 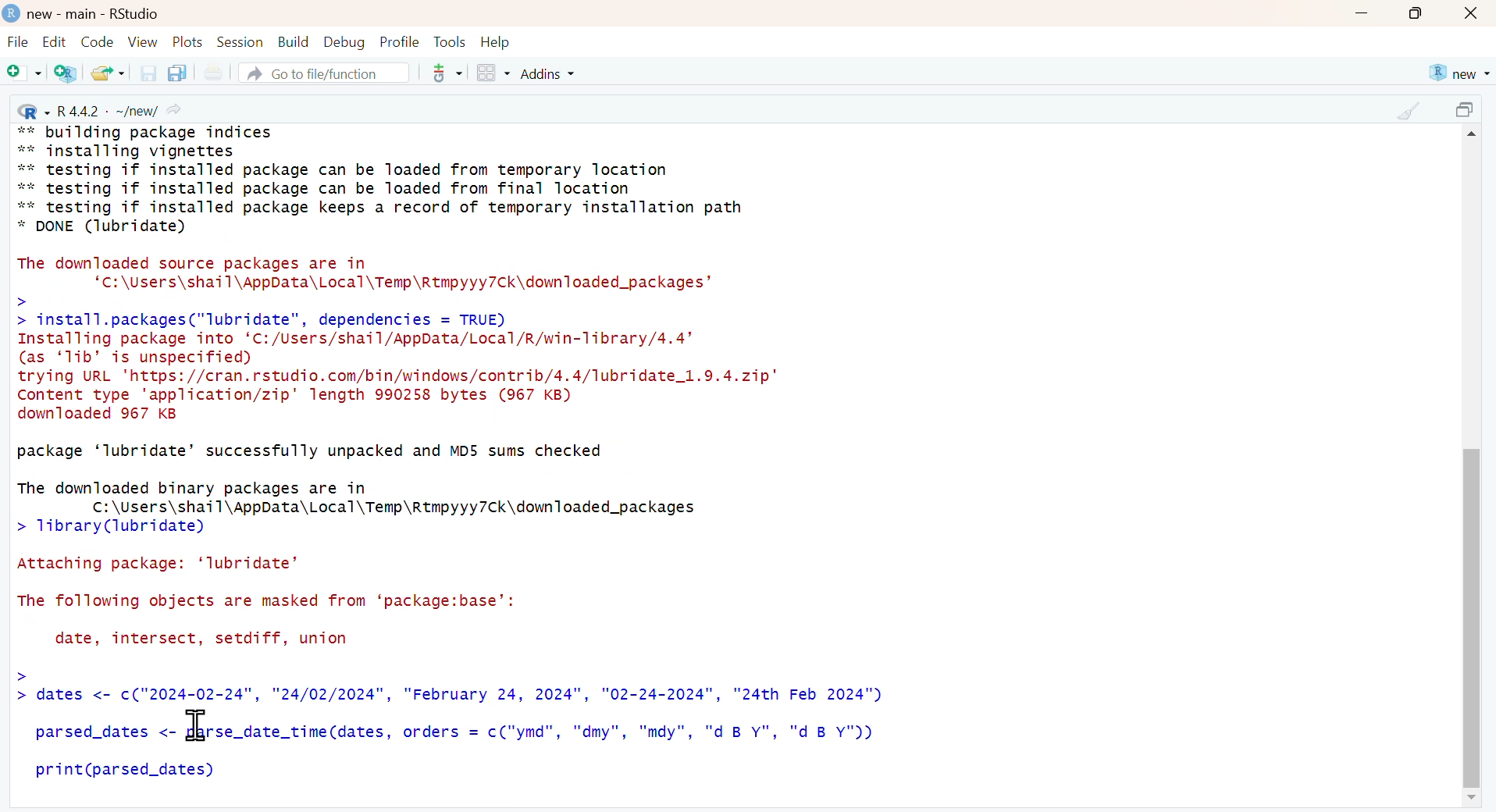 I want to click on Build, so click(x=293, y=42).